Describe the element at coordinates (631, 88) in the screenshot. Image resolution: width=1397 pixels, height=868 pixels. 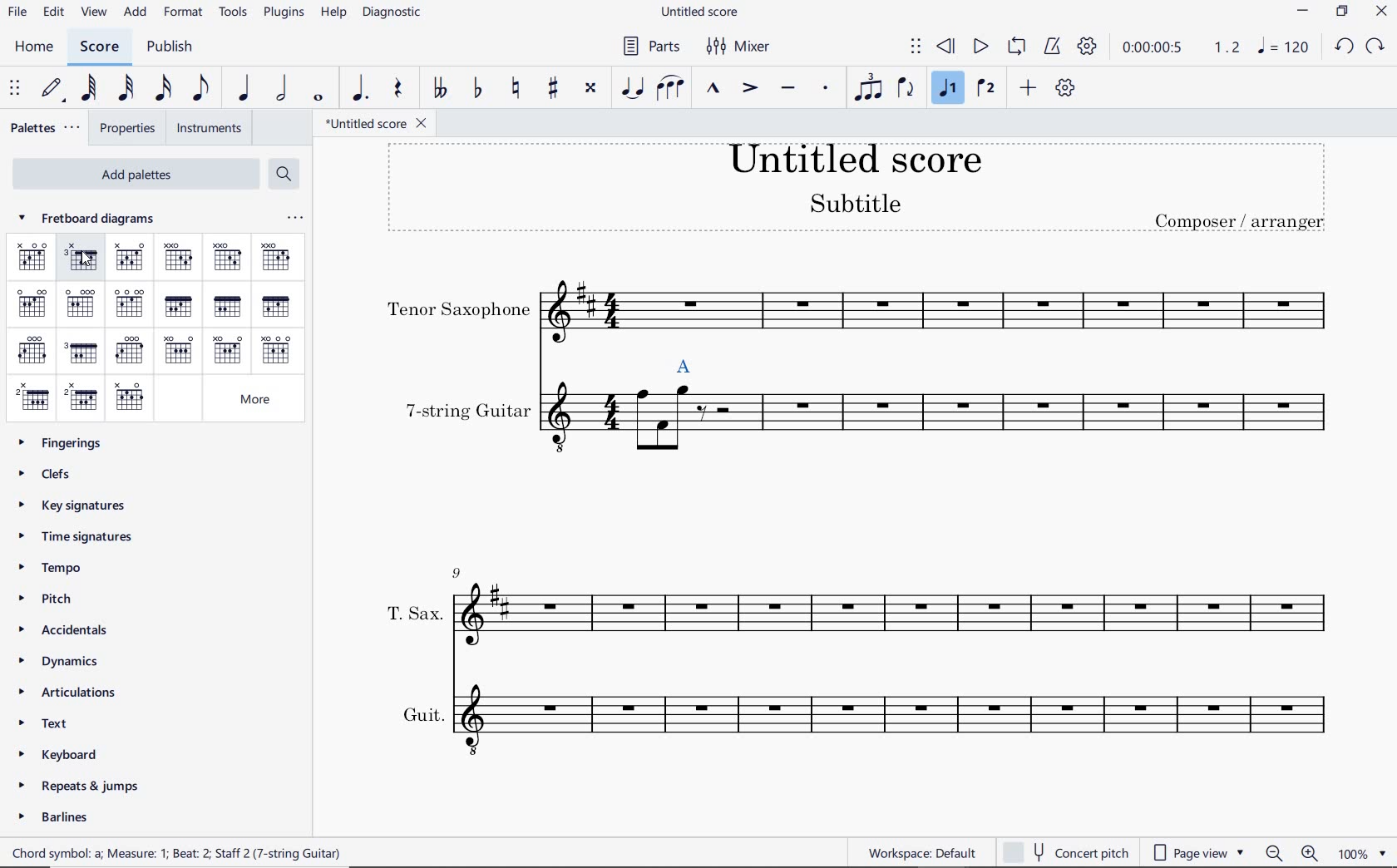
I see `TIE` at that location.